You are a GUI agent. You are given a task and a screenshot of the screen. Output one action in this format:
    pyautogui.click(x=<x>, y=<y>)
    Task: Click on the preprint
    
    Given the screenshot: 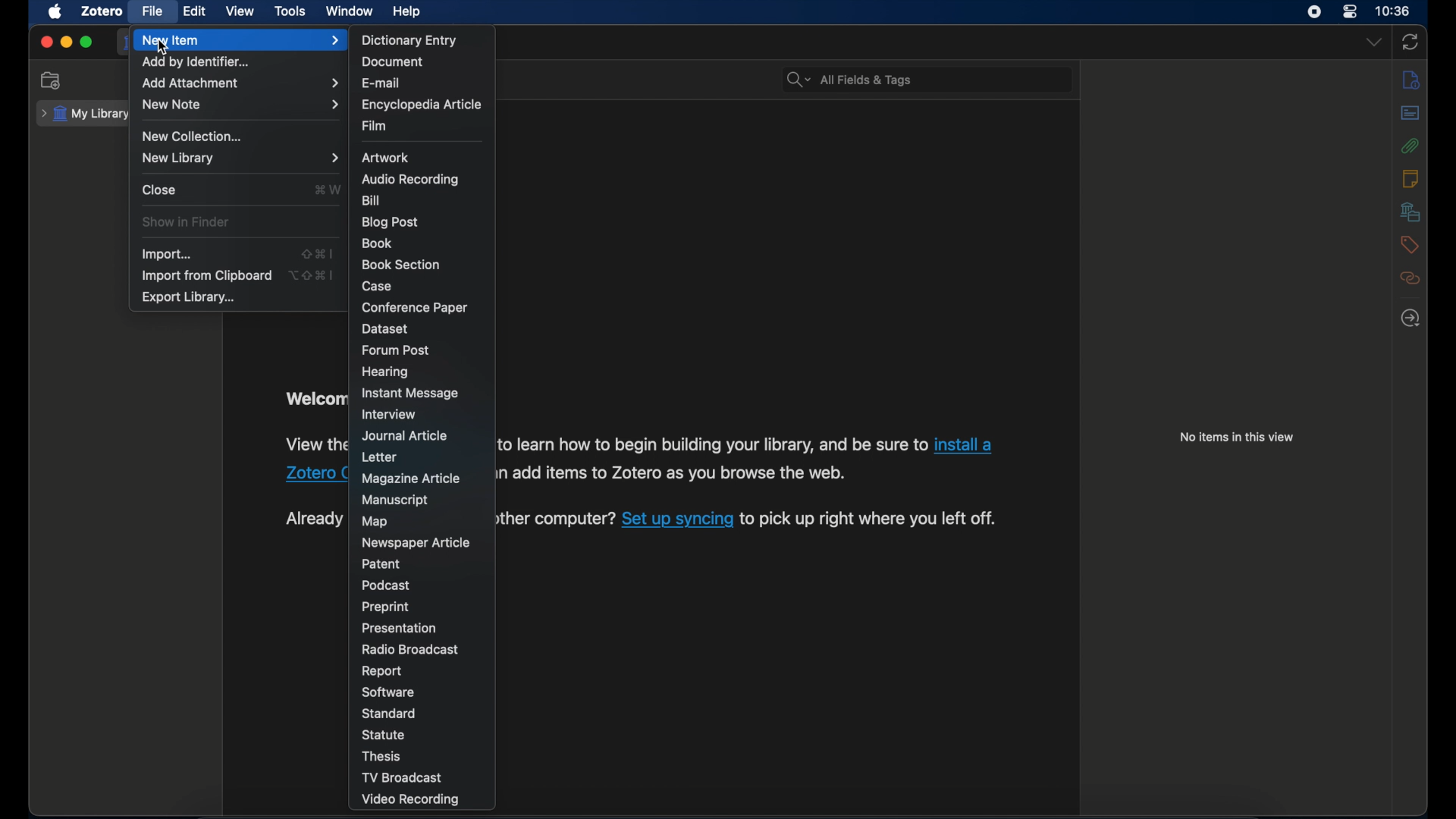 What is the action you would take?
    pyautogui.click(x=388, y=607)
    